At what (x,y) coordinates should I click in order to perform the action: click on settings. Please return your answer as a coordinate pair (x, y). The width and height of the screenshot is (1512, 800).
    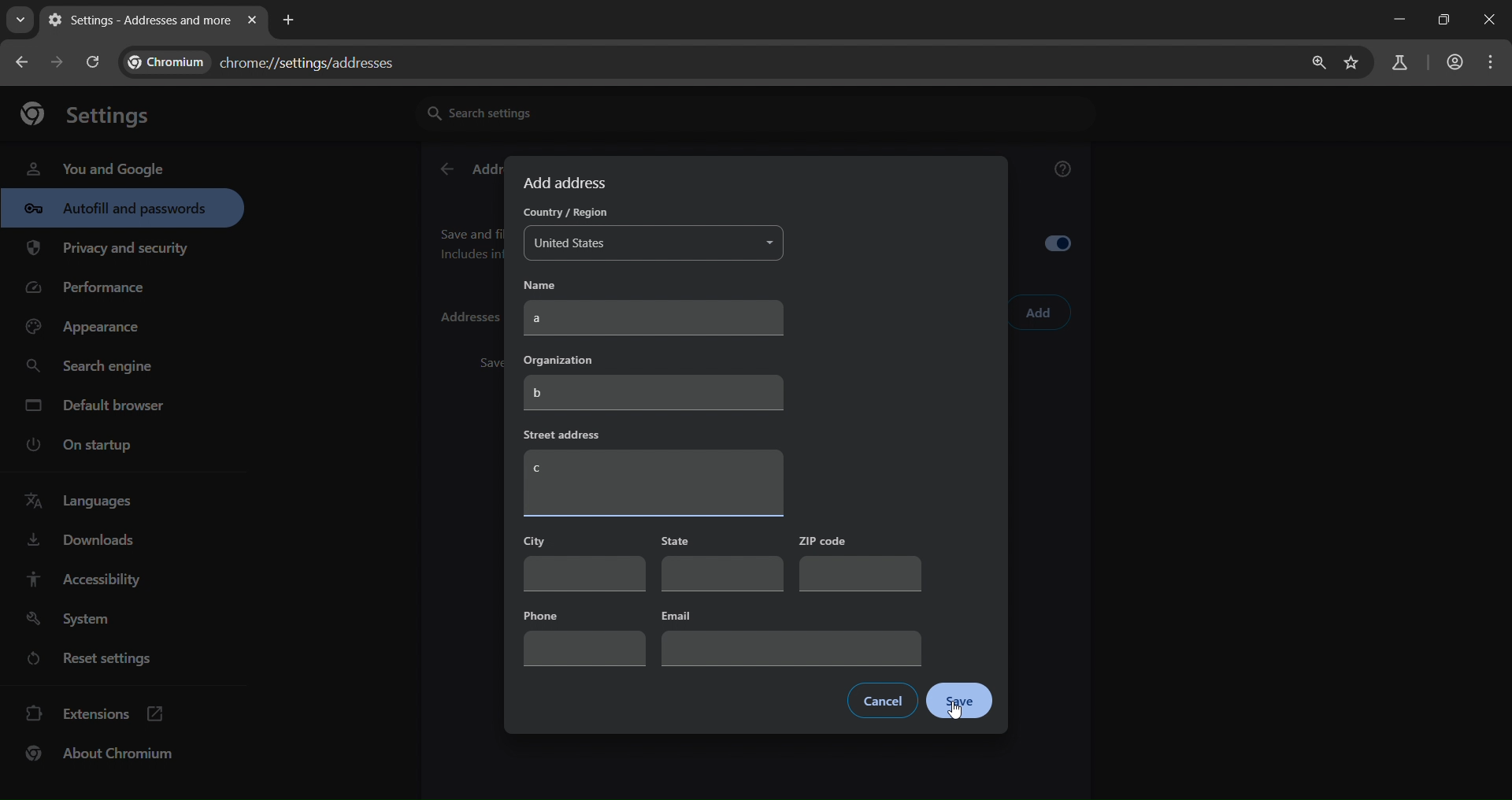
    Looking at the image, I should click on (94, 113).